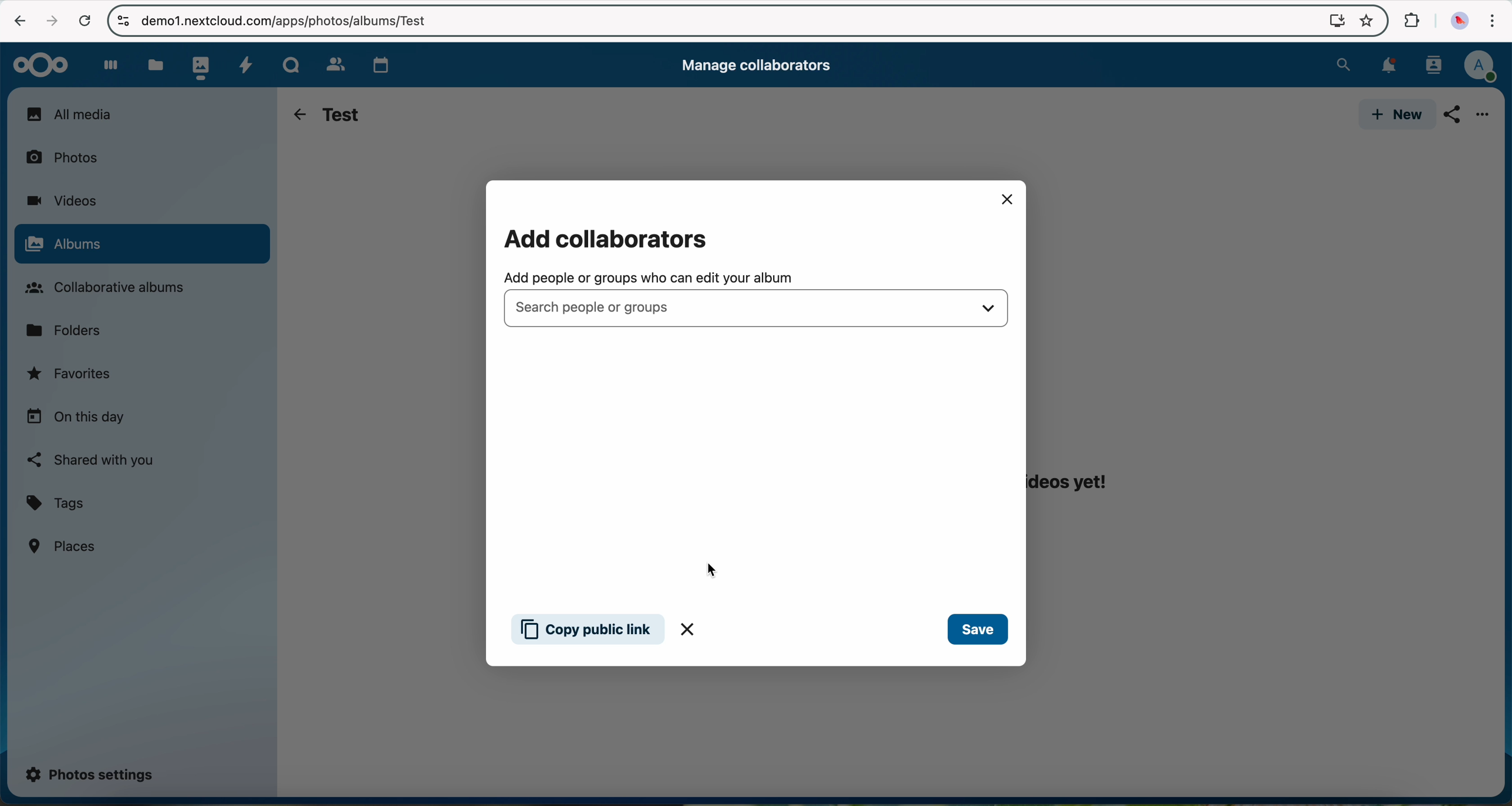 This screenshot has width=1512, height=806. What do you see at coordinates (92, 460) in the screenshot?
I see `shared with you` at bounding box center [92, 460].